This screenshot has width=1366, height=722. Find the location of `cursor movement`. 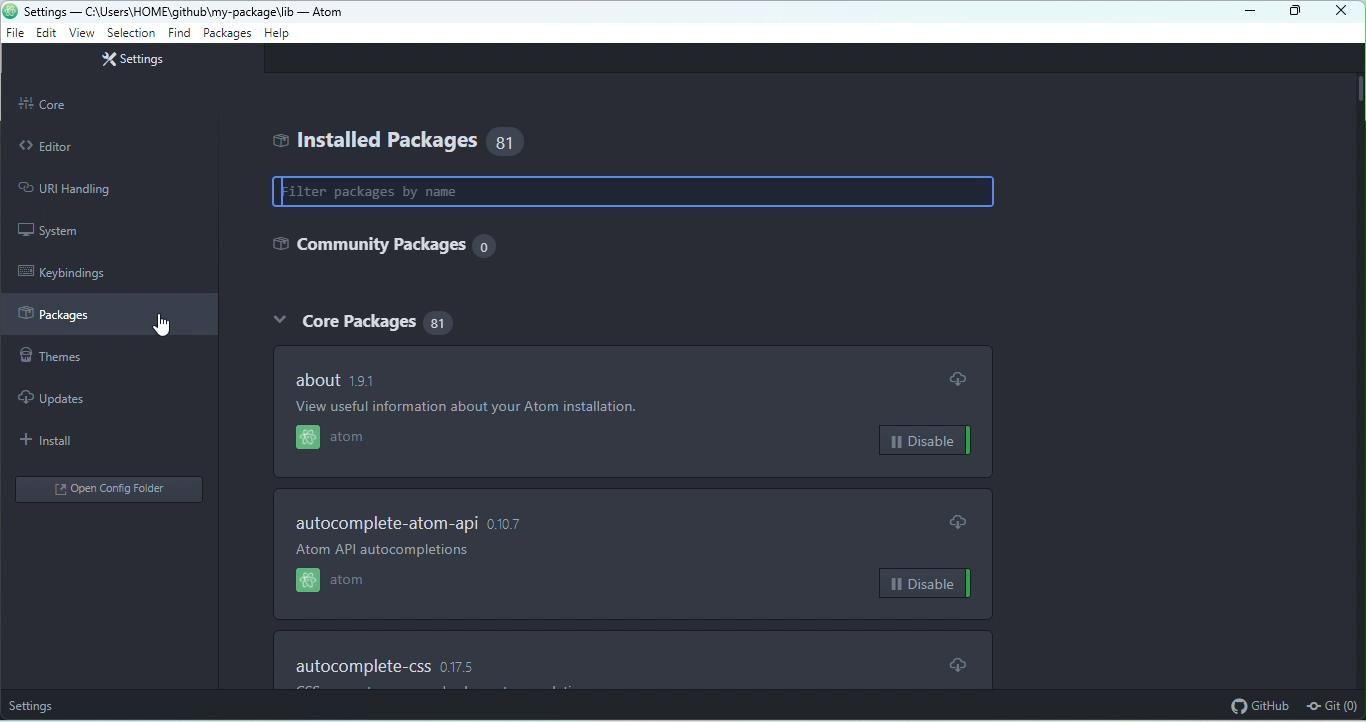

cursor movement is located at coordinates (169, 326).